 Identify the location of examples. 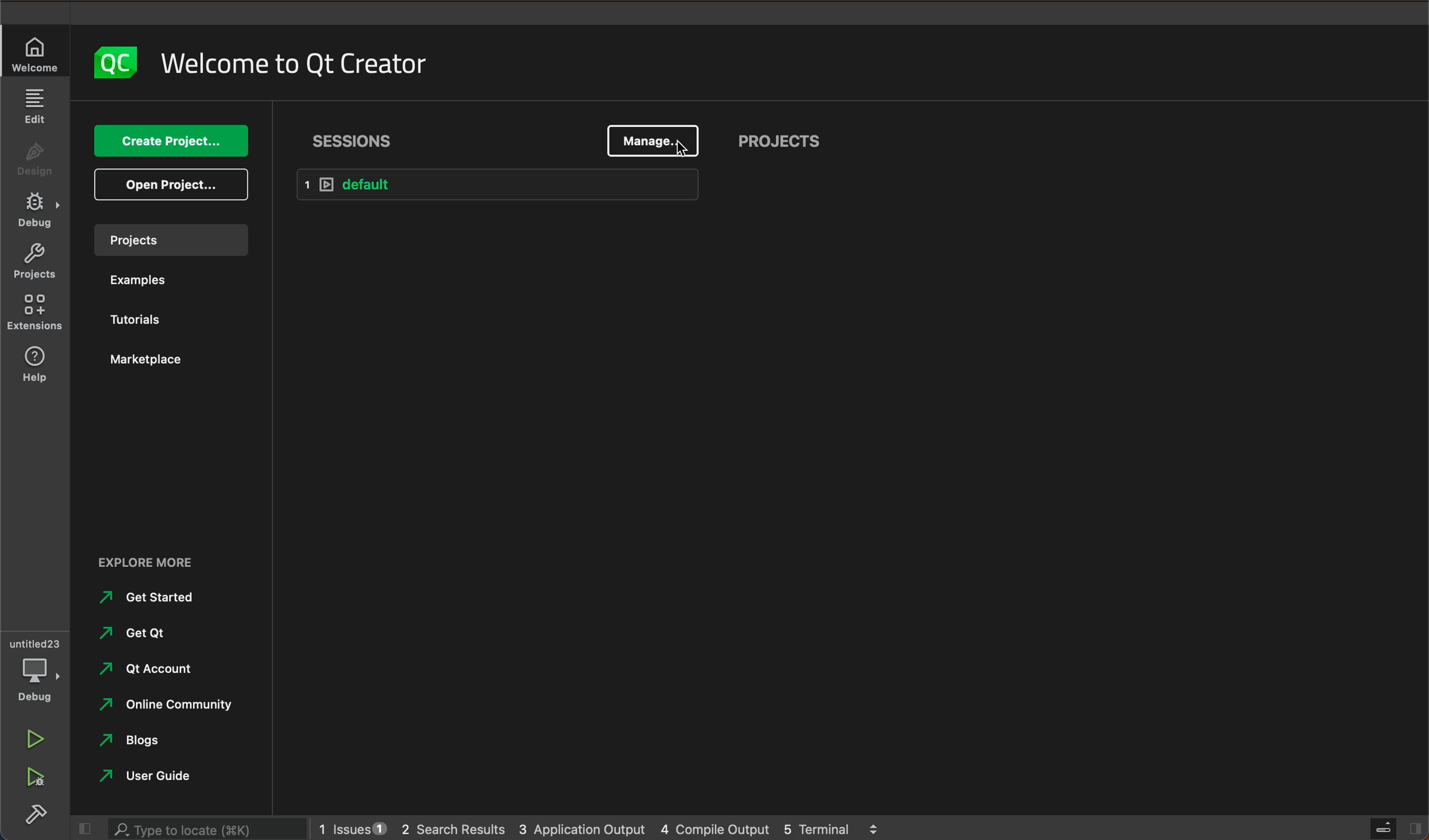
(137, 283).